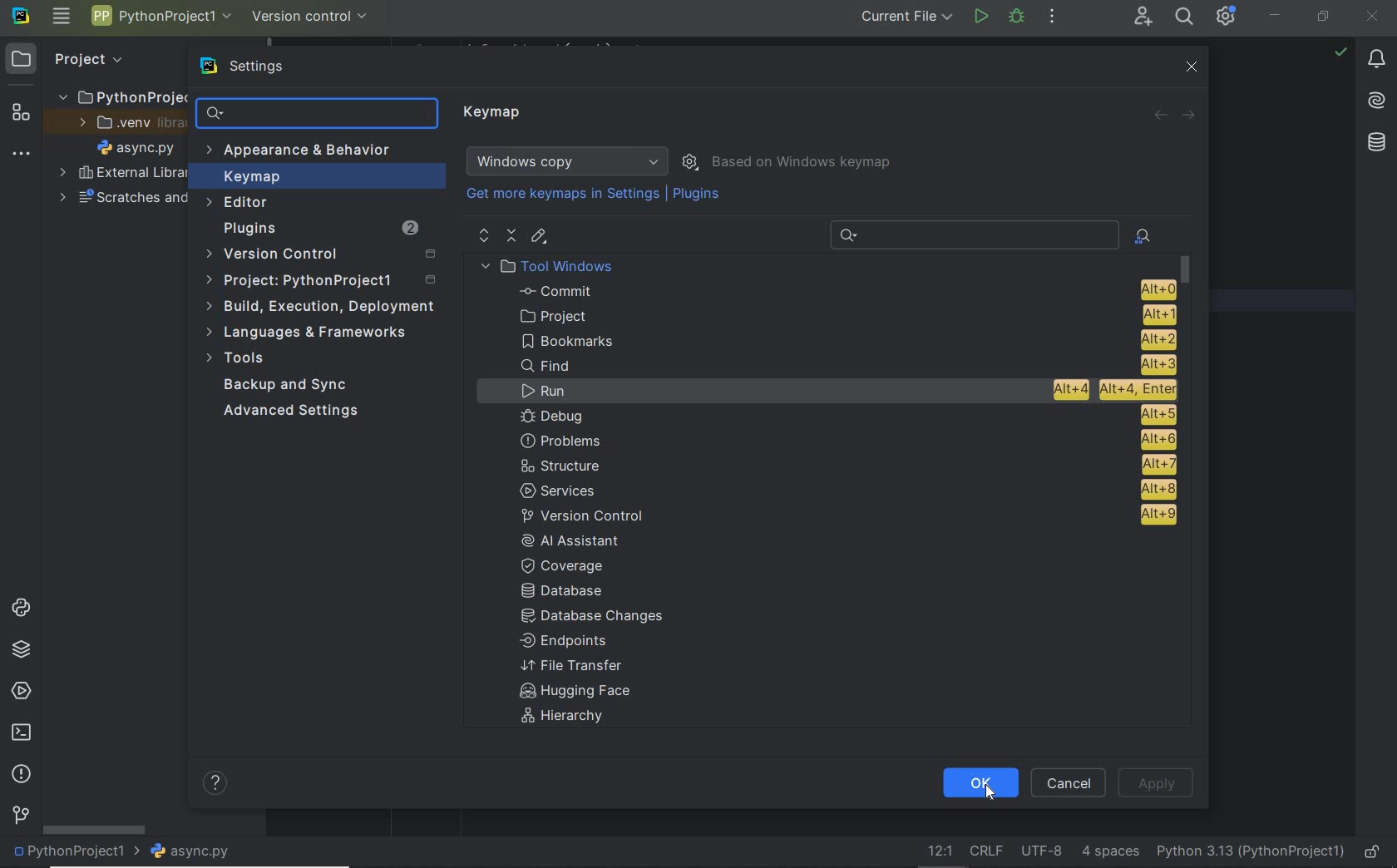 The width and height of the screenshot is (1397, 868). I want to click on Languages & frameworks, so click(310, 334).